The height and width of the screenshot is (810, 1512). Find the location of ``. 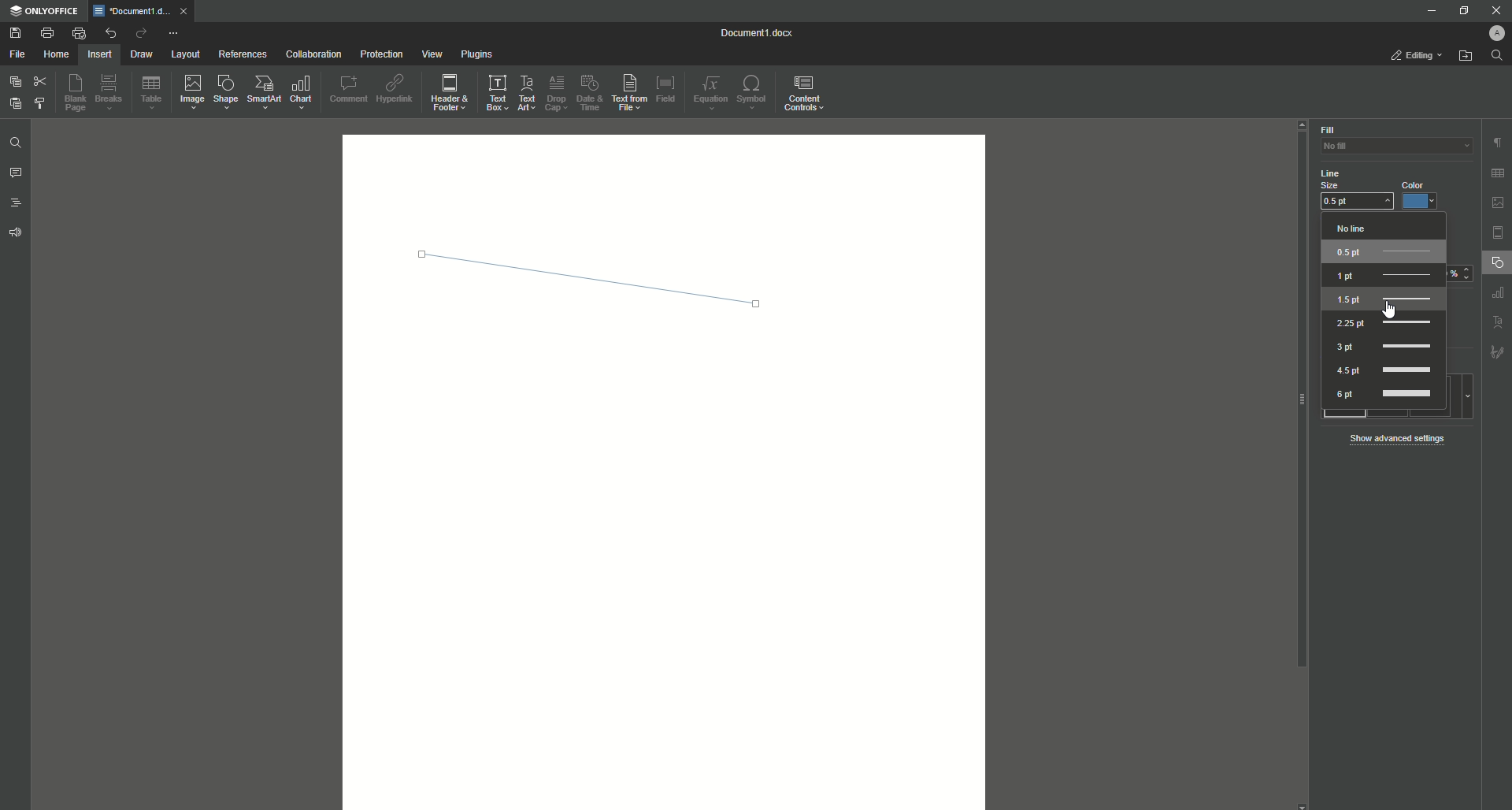

 is located at coordinates (48, 31).